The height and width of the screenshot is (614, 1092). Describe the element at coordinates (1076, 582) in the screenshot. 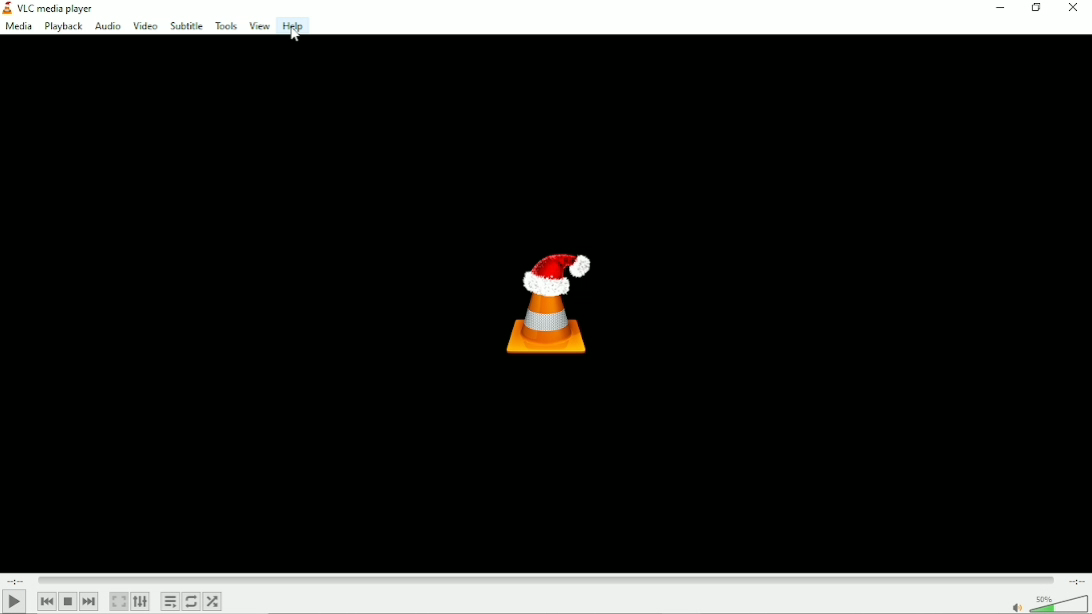

I see `Total duration` at that location.